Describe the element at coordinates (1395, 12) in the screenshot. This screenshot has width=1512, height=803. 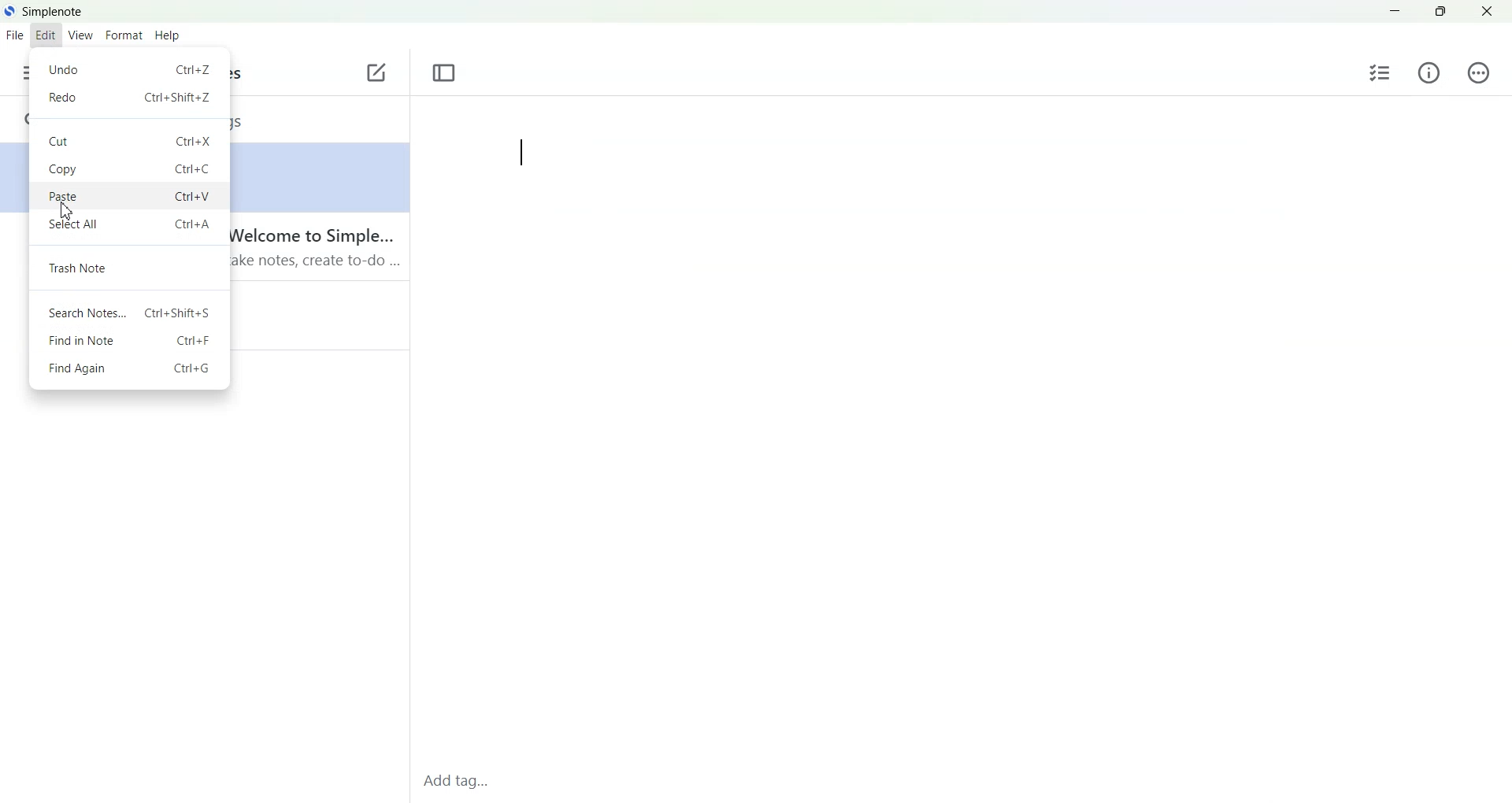
I see `Minimize` at that location.